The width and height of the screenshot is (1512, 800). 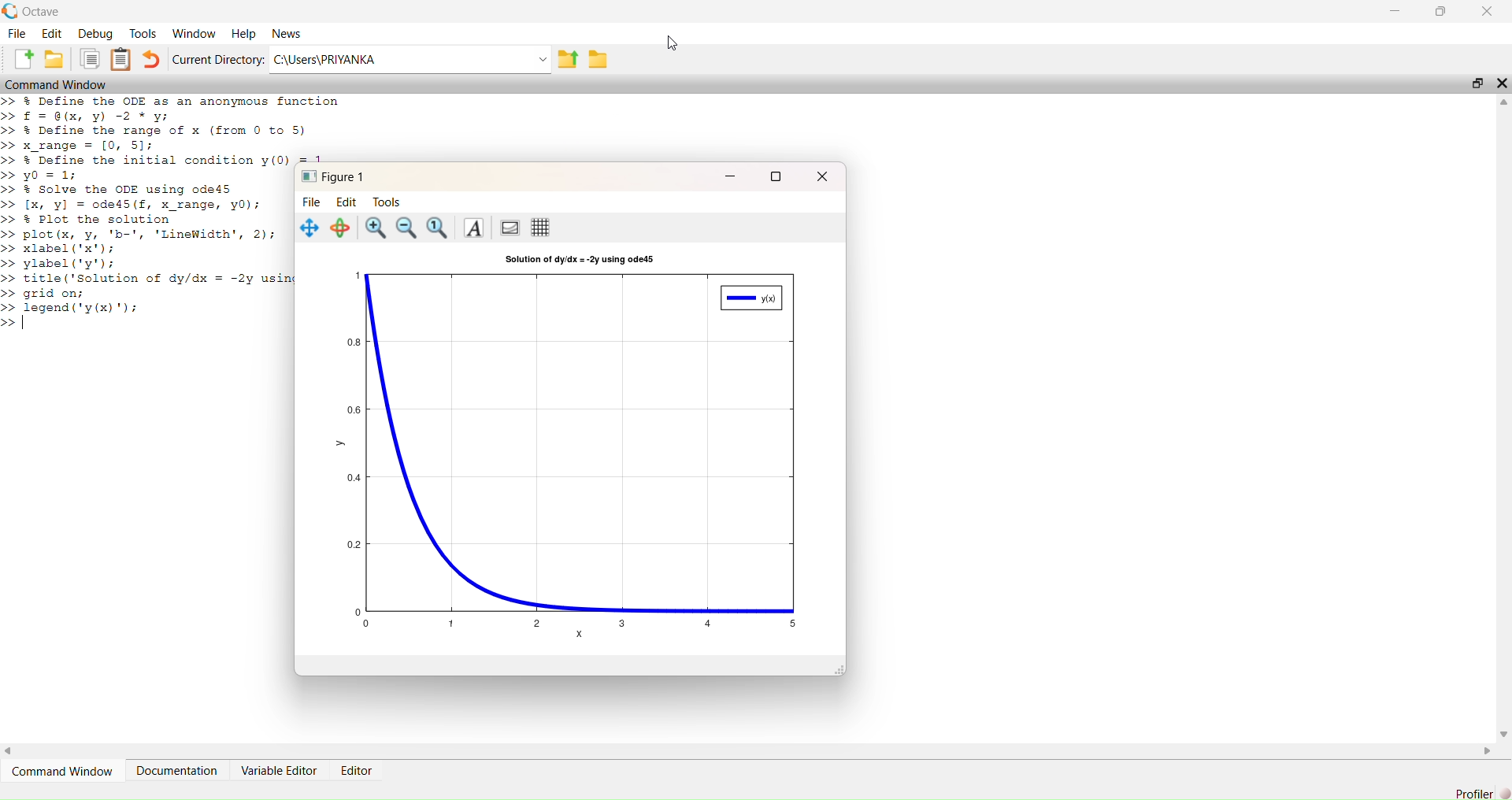 I want to click on Toggle current axes visibility, so click(x=510, y=226).